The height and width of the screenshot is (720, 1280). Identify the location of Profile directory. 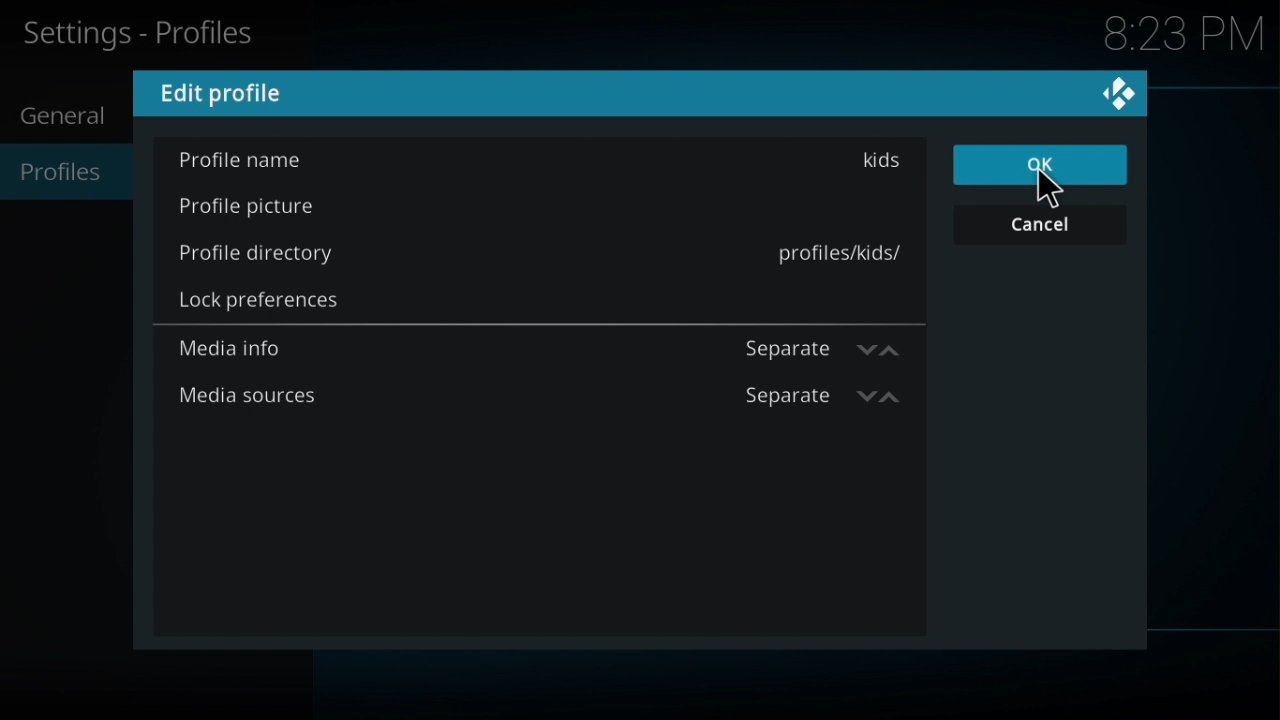
(271, 260).